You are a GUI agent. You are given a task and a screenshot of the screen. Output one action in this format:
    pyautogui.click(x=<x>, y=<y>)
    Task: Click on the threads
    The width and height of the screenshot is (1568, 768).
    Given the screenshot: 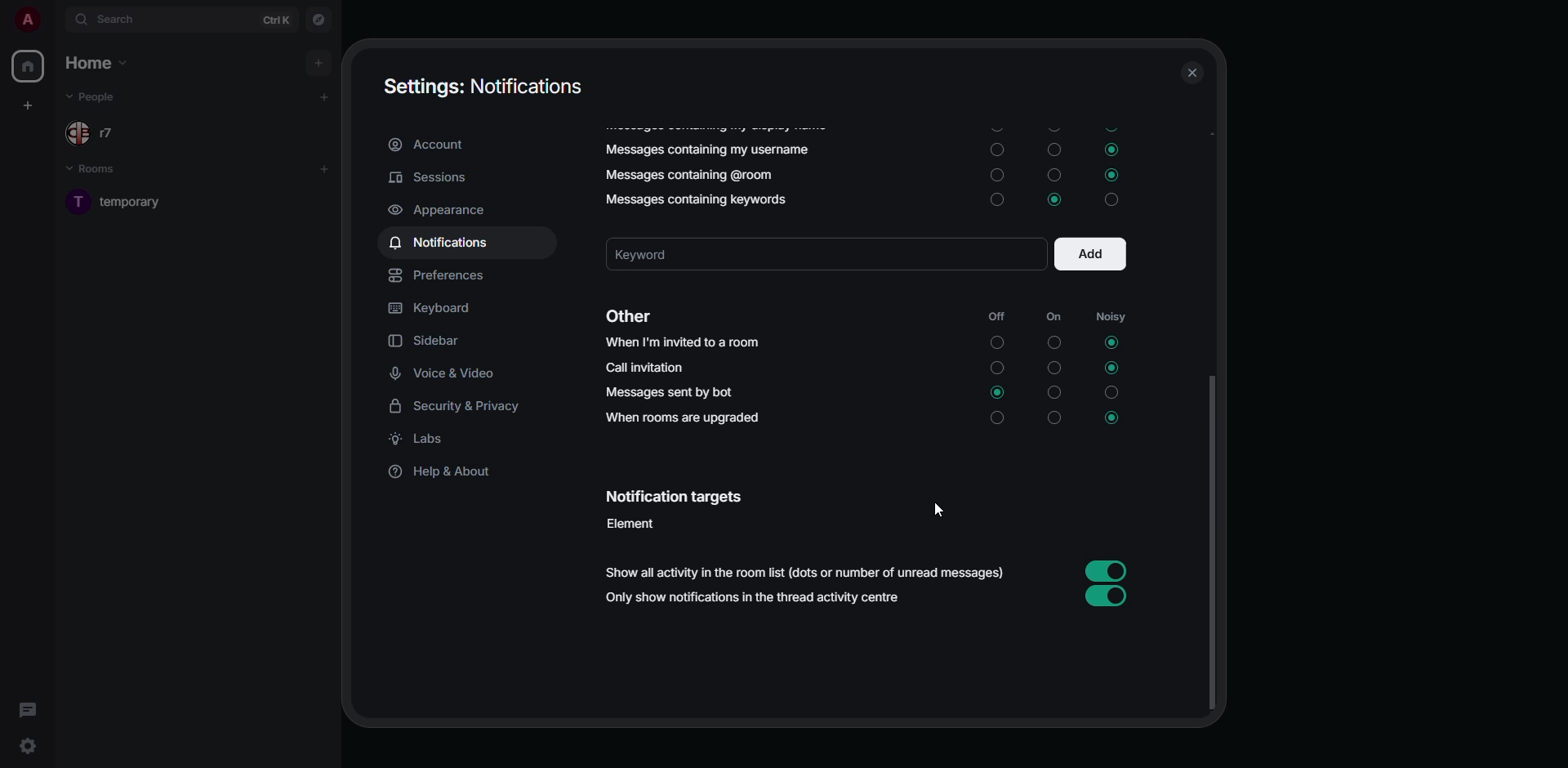 What is the action you would take?
    pyautogui.click(x=28, y=710)
    